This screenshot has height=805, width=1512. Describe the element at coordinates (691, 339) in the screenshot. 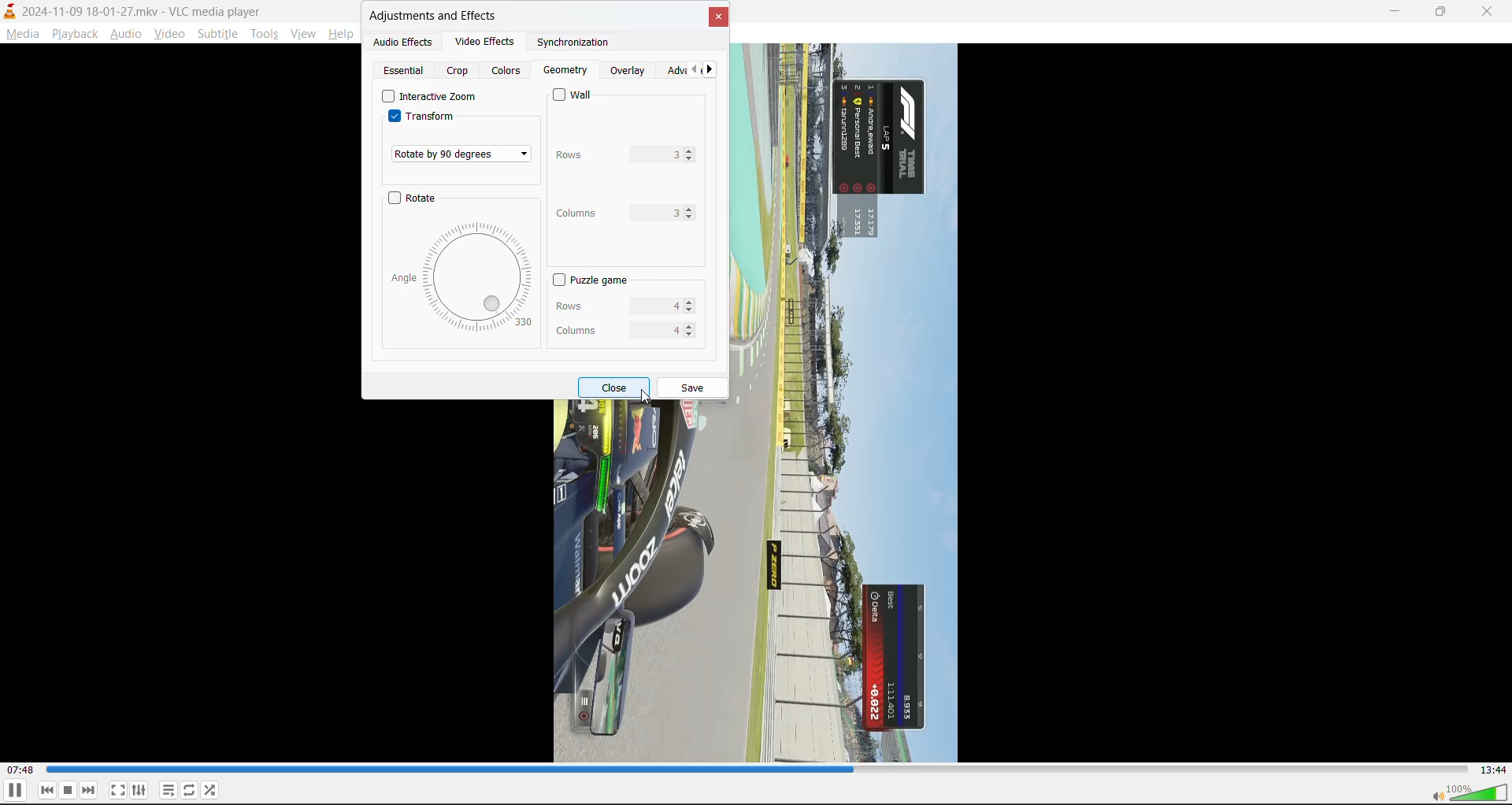

I see `Decrease` at that location.